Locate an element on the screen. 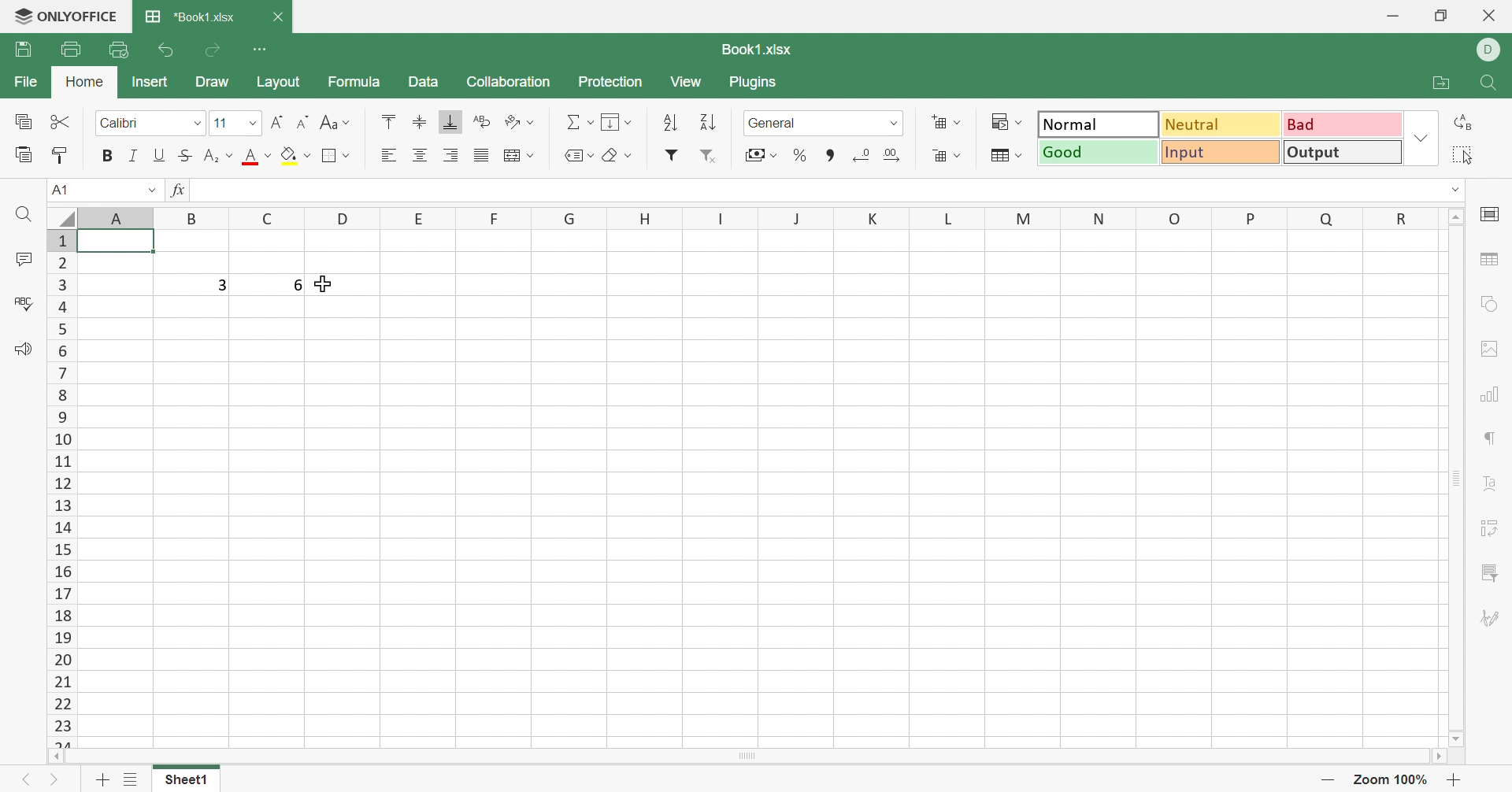  Plugins is located at coordinates (754, 80).